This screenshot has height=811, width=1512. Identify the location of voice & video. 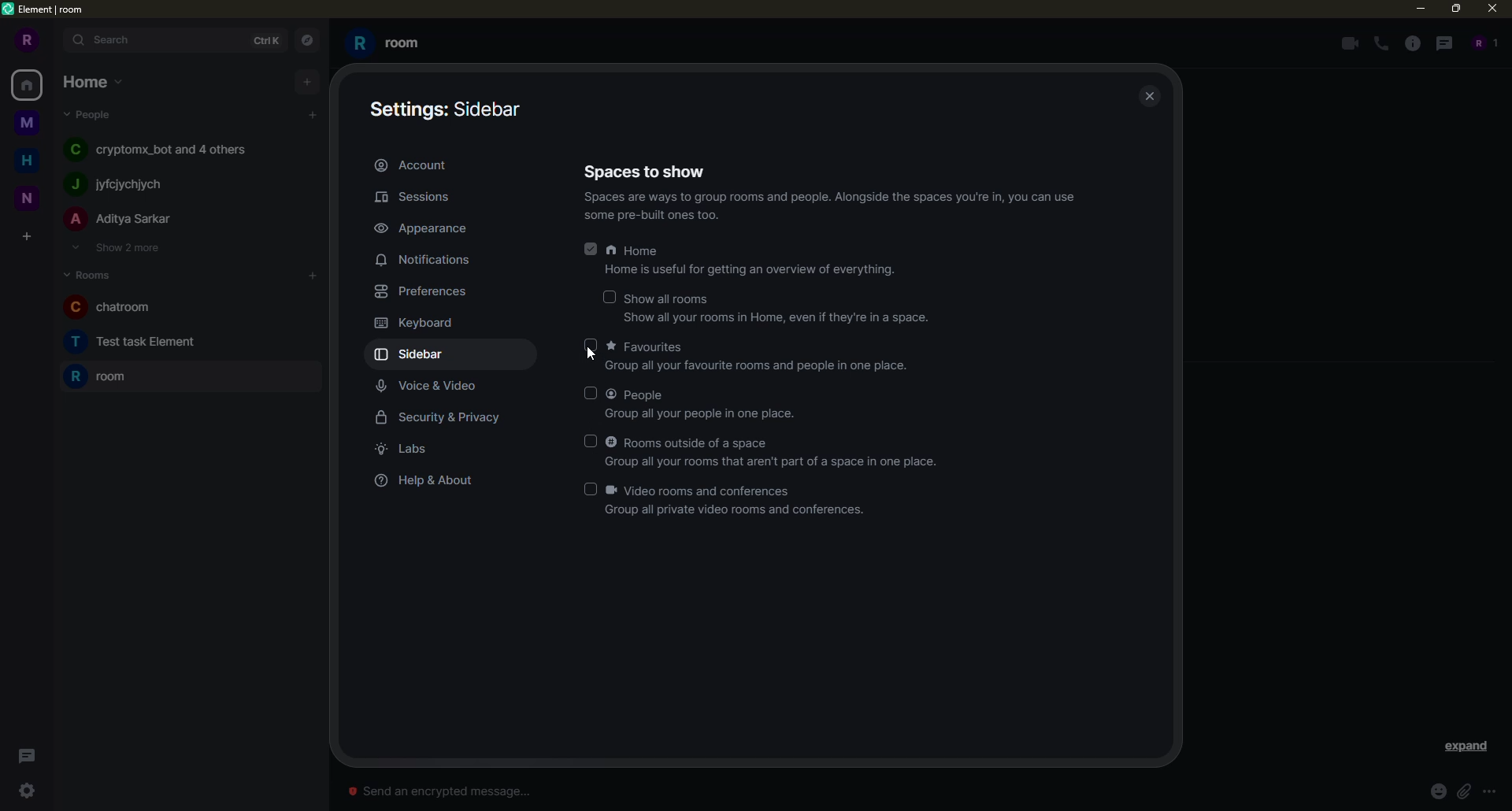
(428, 388).